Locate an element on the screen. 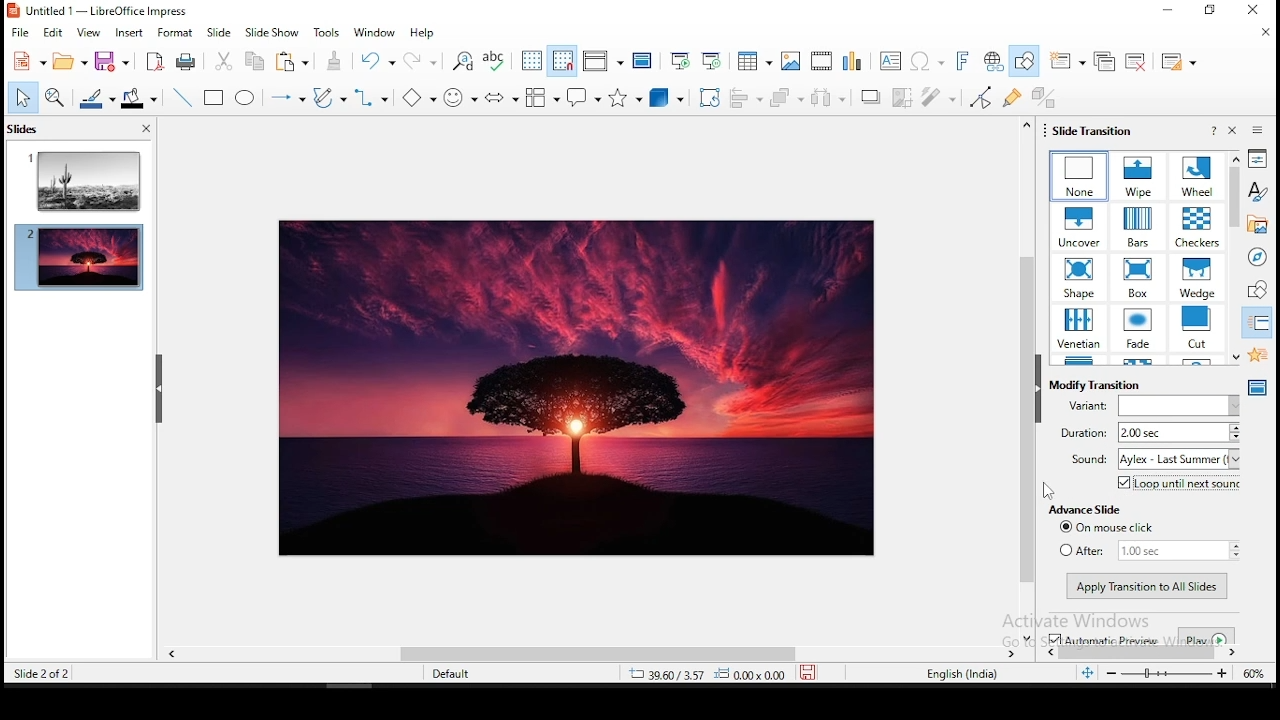 The height and width of the screenshot is (720, 1280). basic shapes is located at coordinates (416, 100).